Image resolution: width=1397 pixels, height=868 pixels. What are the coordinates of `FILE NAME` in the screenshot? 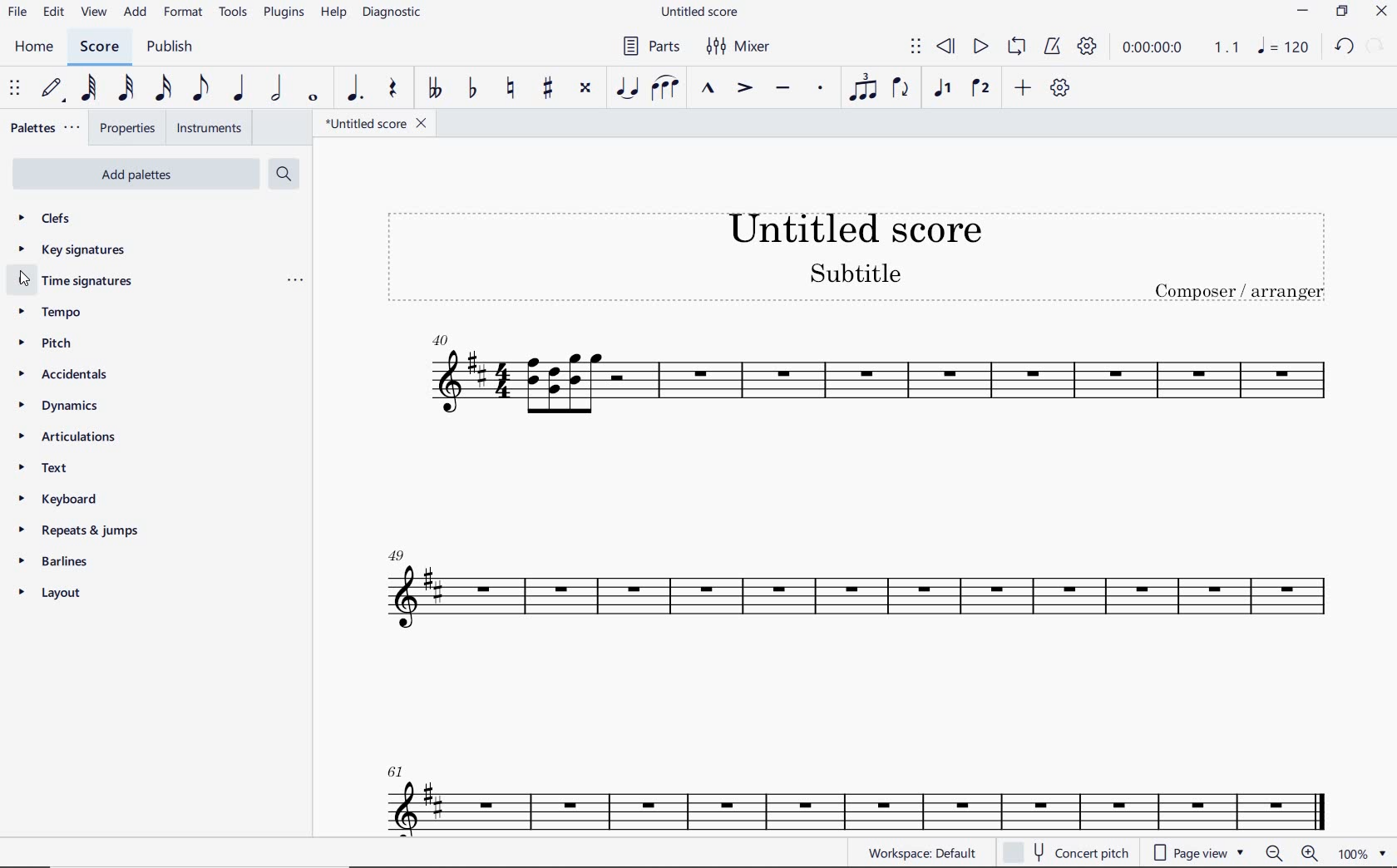 It's located at (701, 14).